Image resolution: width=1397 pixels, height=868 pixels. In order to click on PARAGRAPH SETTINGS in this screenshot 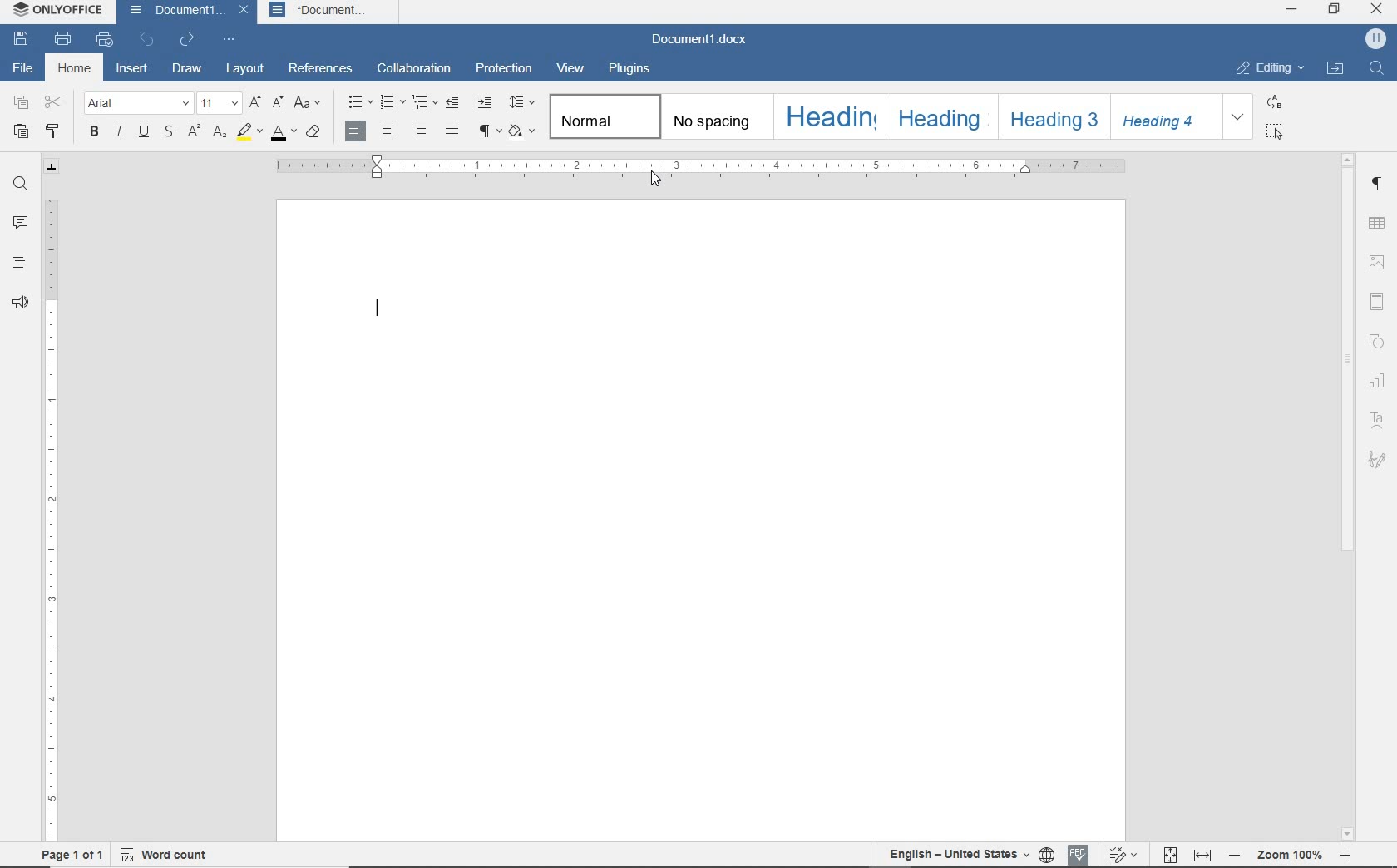, I will do `click(1380, 184)`.